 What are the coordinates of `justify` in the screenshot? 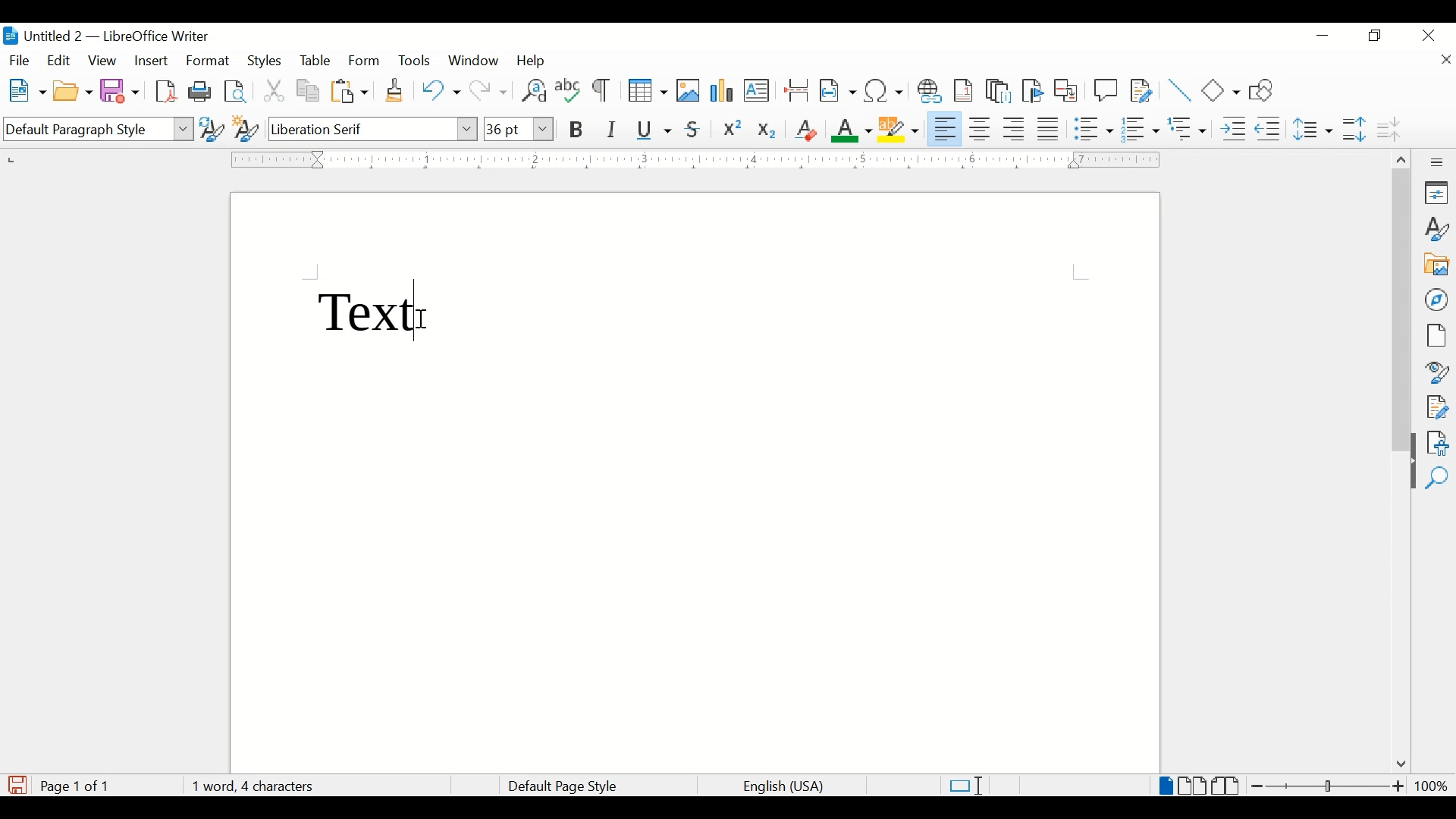 It's located at (1049, 129).